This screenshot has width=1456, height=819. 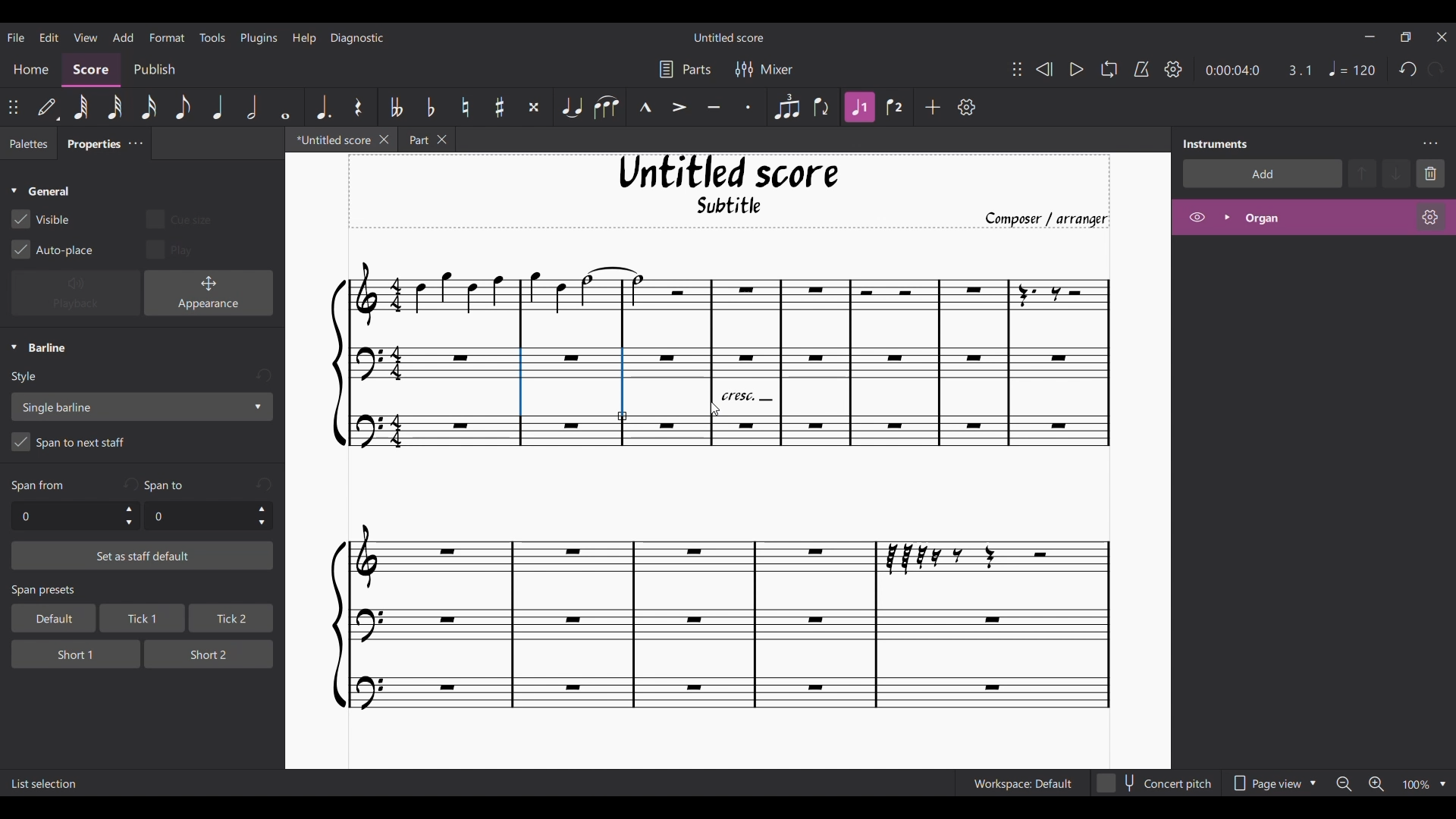 What do you see at coordinates (934, 107) in the screenshot?
I see `Add` at bounding box center [934, 107].